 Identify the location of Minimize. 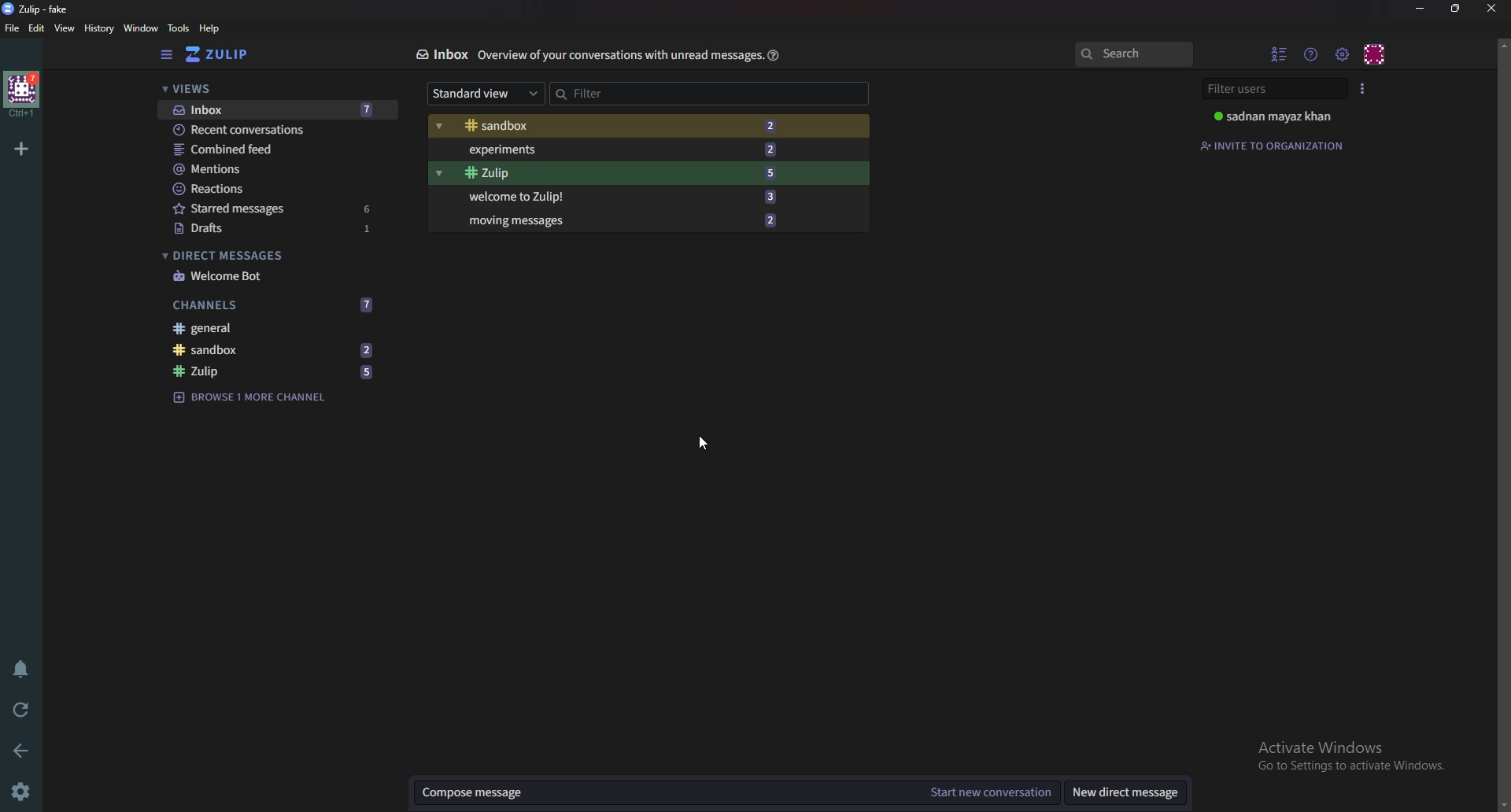
(1420, 9).